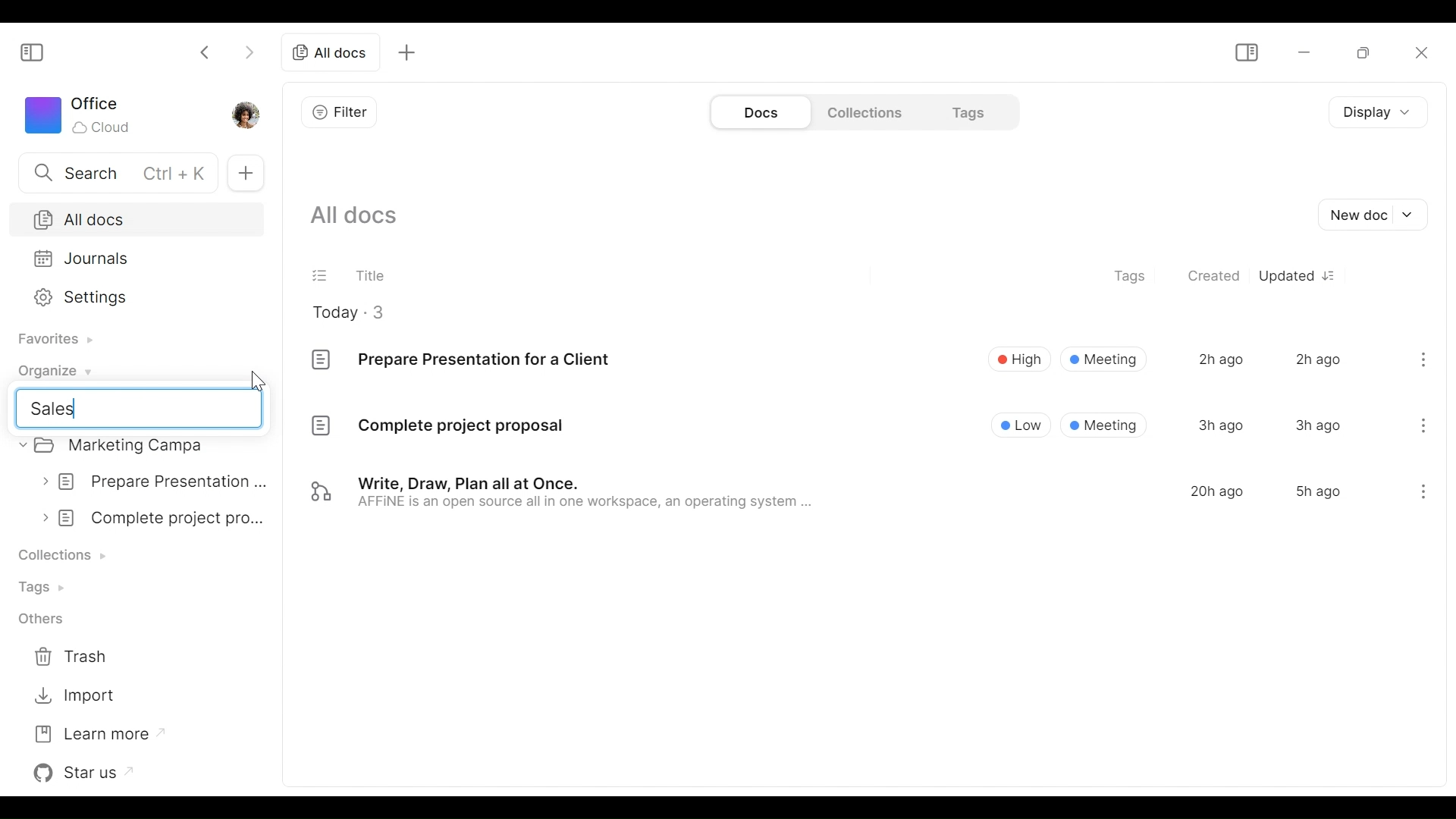  What do you see at coordinates (1422, 55) in the screenshot?
I see `Close` at bounding box center [1422, 55].